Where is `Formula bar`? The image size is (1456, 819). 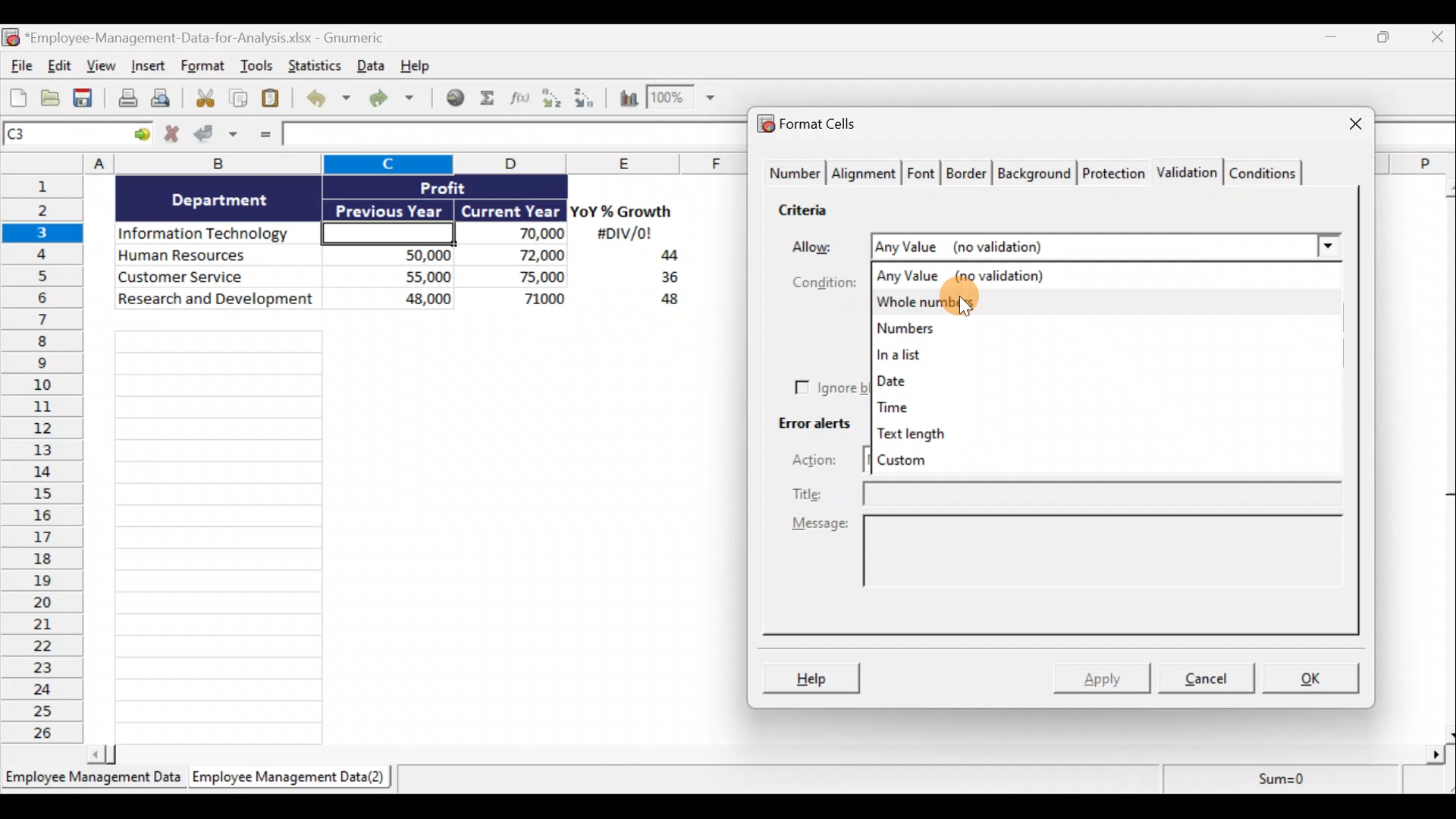 Formula bar is located at coordinates (510, 136).